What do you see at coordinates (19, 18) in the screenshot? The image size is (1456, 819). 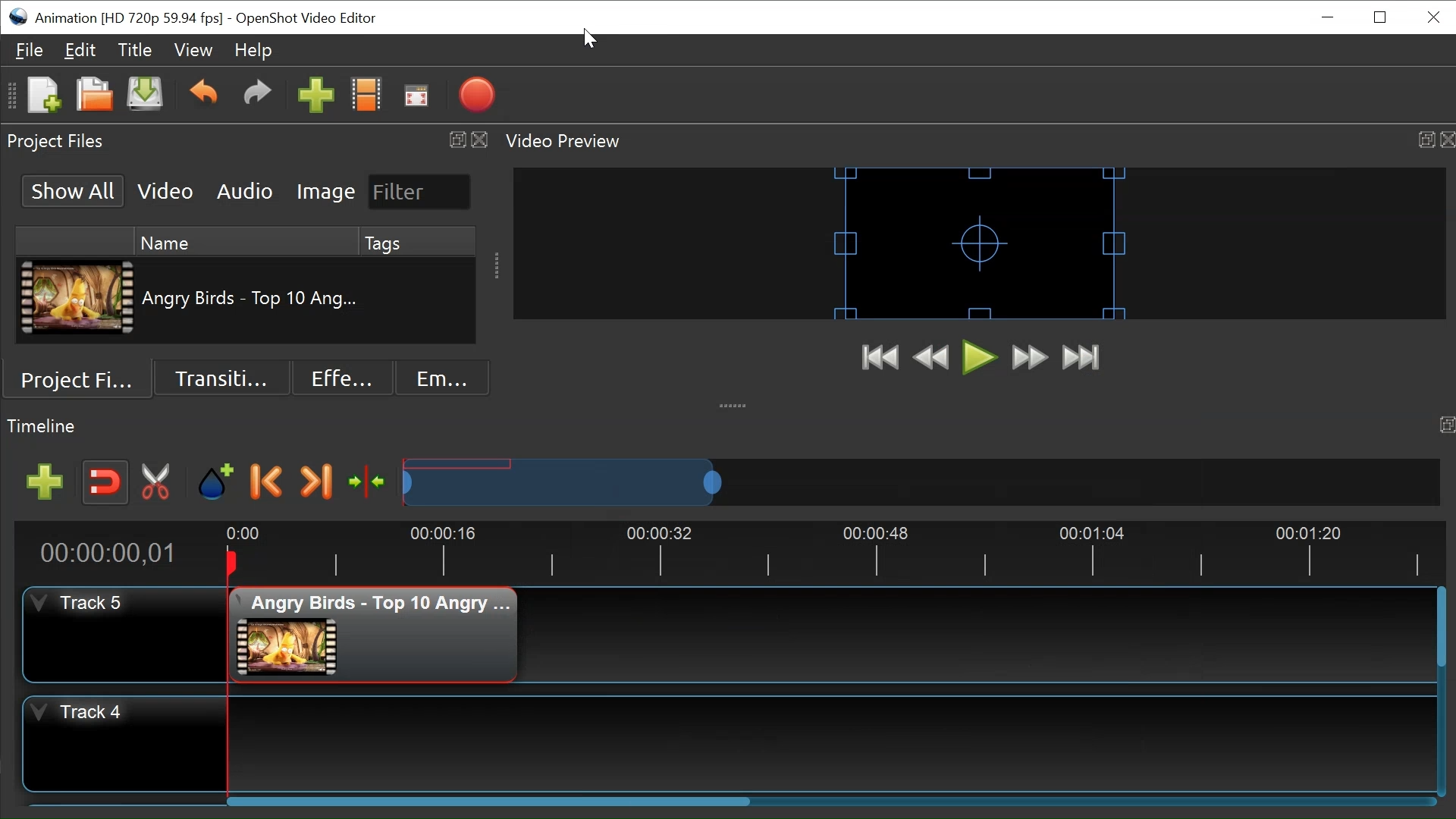 I see `OpenShot` at bounding box center [19, 18].